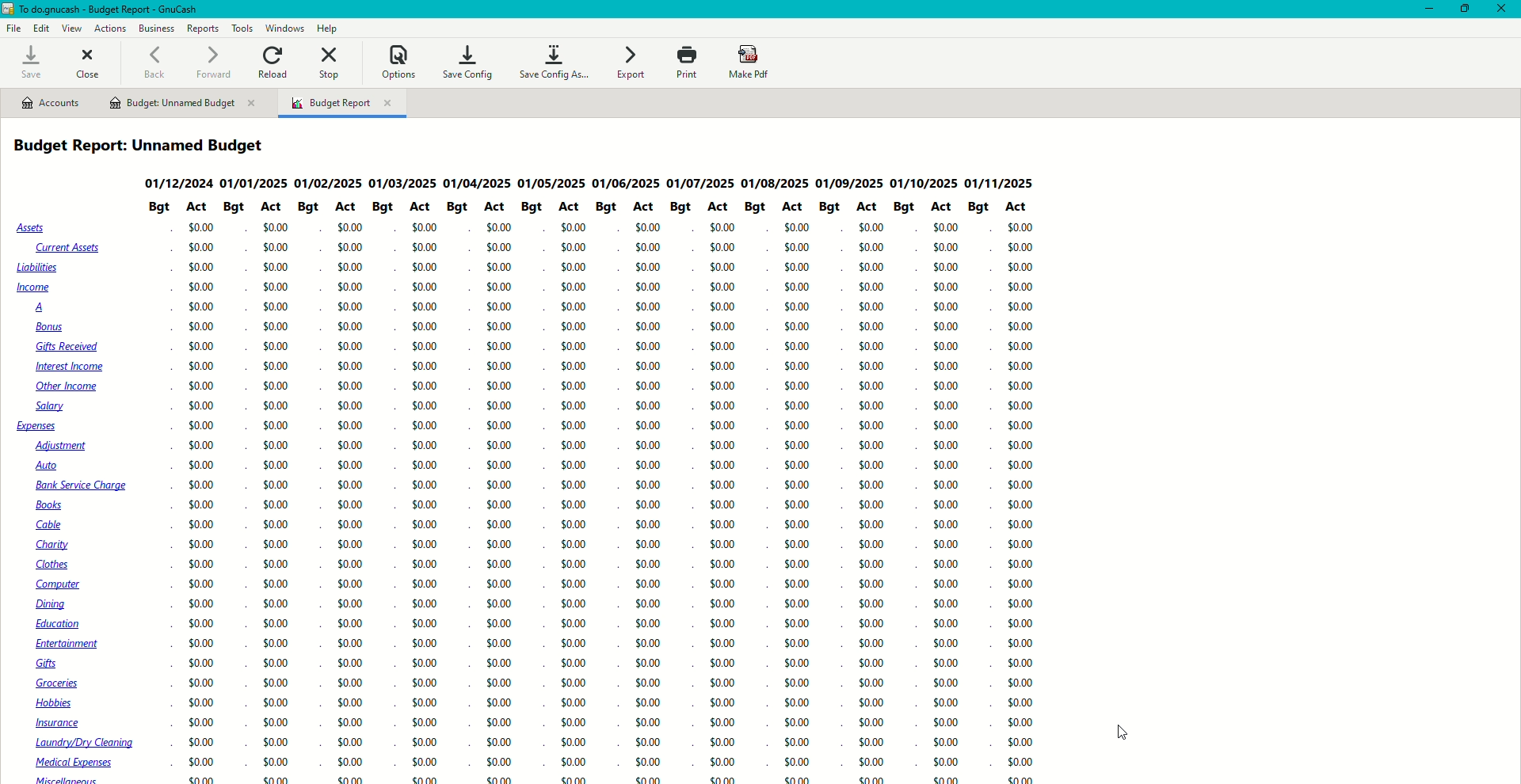 The height and width of the screenshot is (784, 1521). What do you see at coordinates (1424, 9) in the screenshot?
I see `Minimize` at bounding box center [1424, 9].